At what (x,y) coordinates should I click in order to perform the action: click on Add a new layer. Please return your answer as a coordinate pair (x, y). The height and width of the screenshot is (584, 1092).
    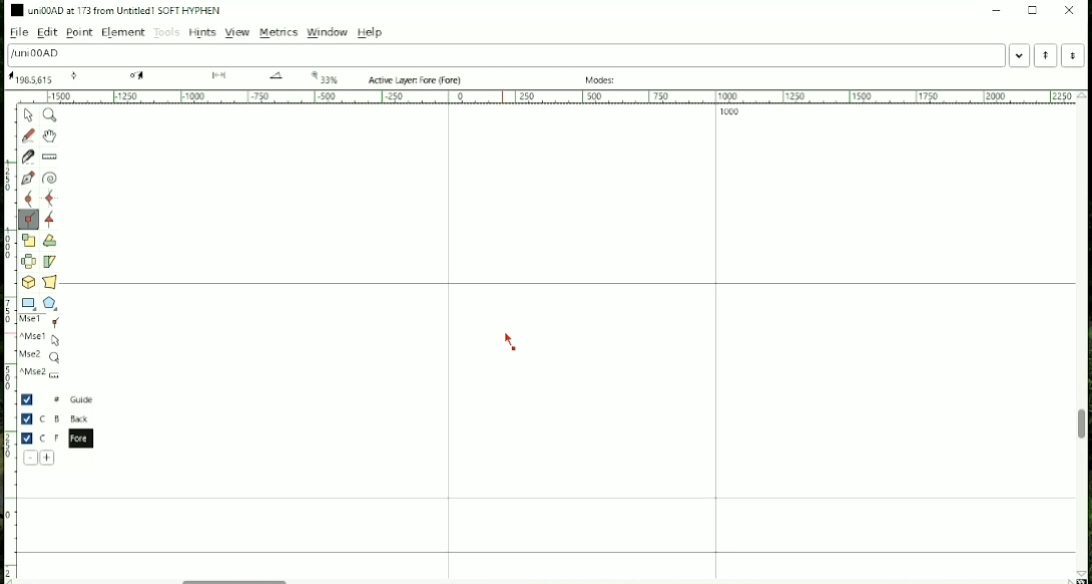
    Looking at the image, I should click on (48, 458).